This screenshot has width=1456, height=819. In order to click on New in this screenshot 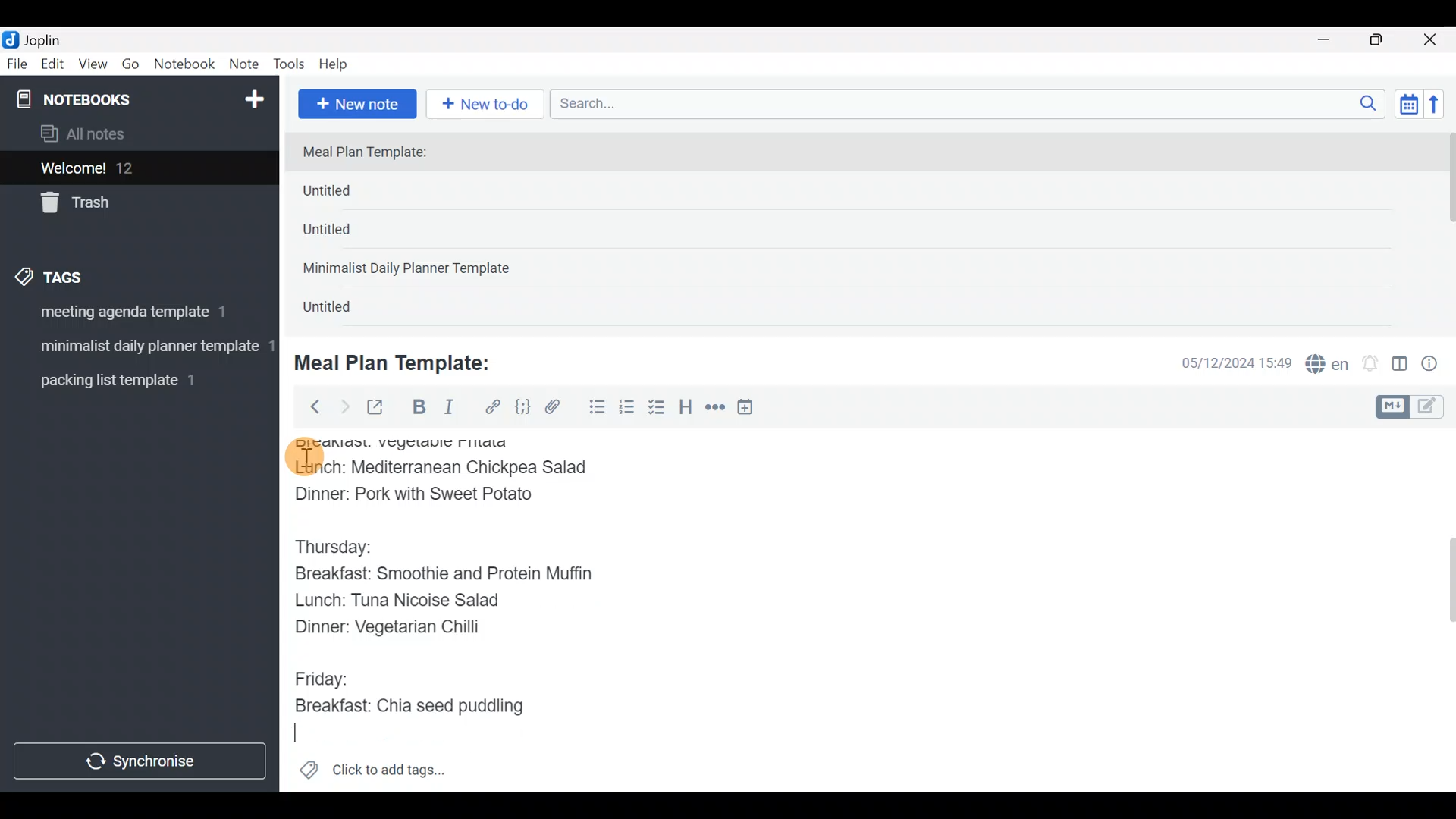, I will do `click(253, 96)`.